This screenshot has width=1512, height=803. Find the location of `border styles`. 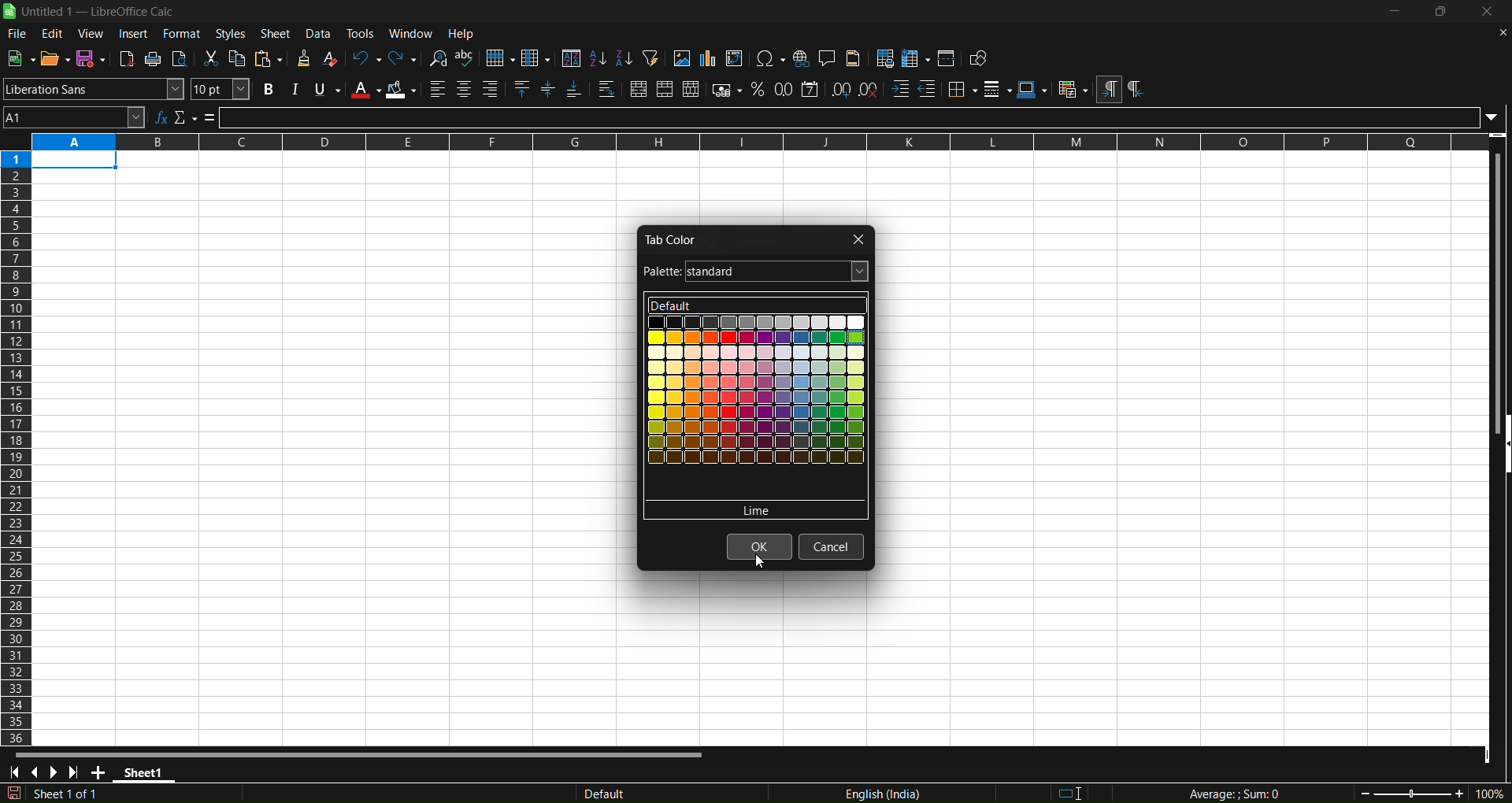

border styles is located at coordinates (998, 89).